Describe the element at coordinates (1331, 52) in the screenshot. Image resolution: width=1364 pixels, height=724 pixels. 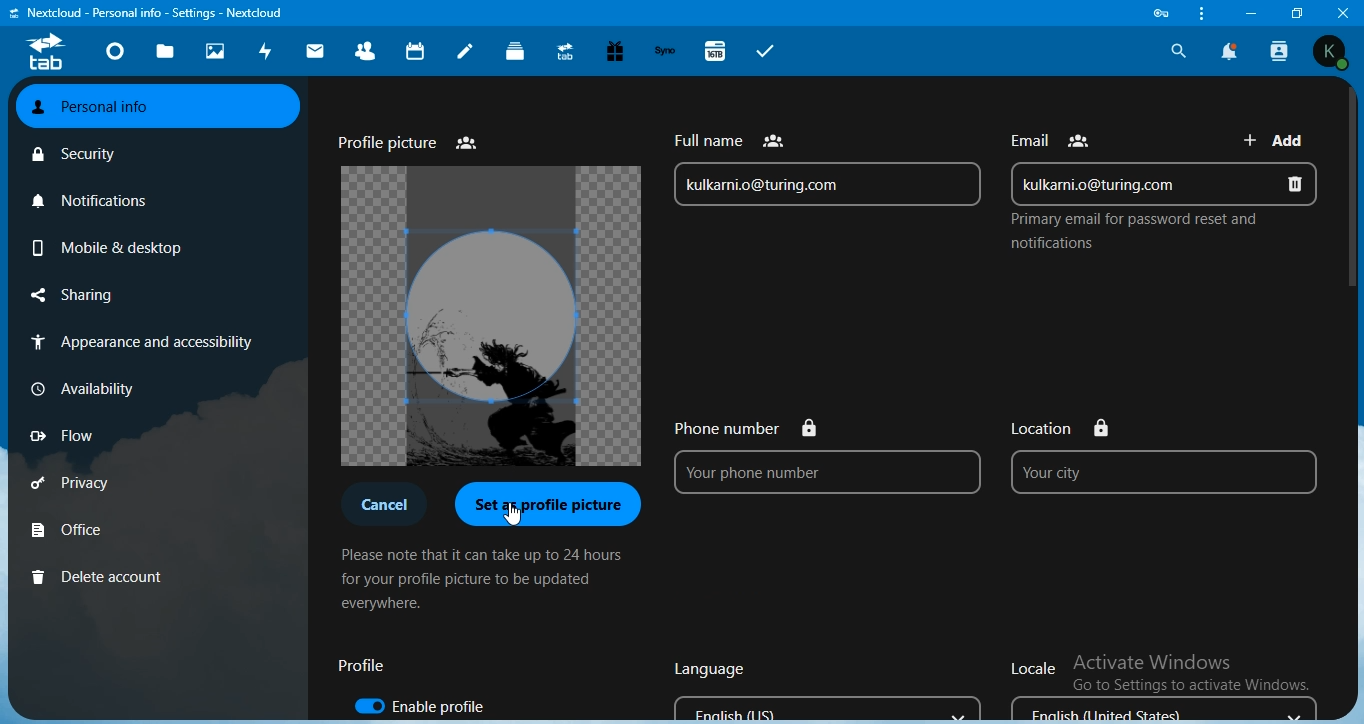
I see `view profile` at that location.